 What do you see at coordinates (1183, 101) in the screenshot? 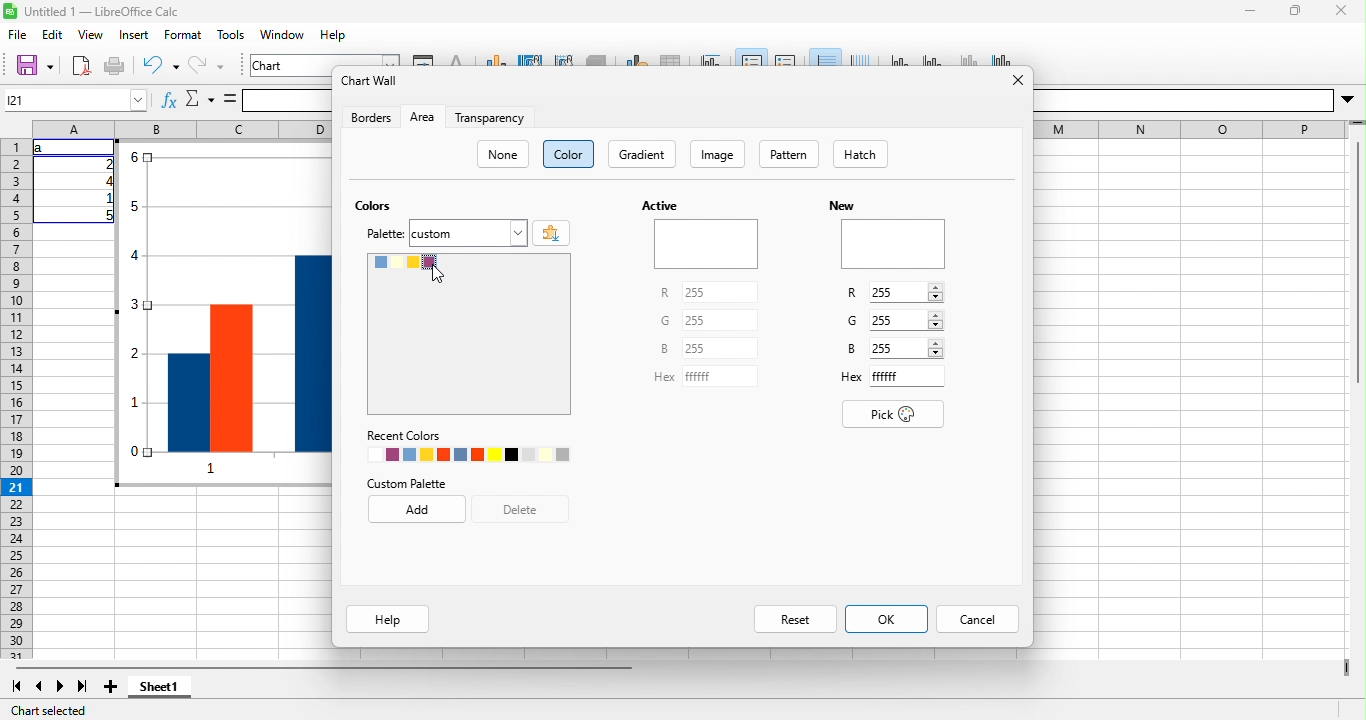
I see `` at bounding box center [1183, 101].